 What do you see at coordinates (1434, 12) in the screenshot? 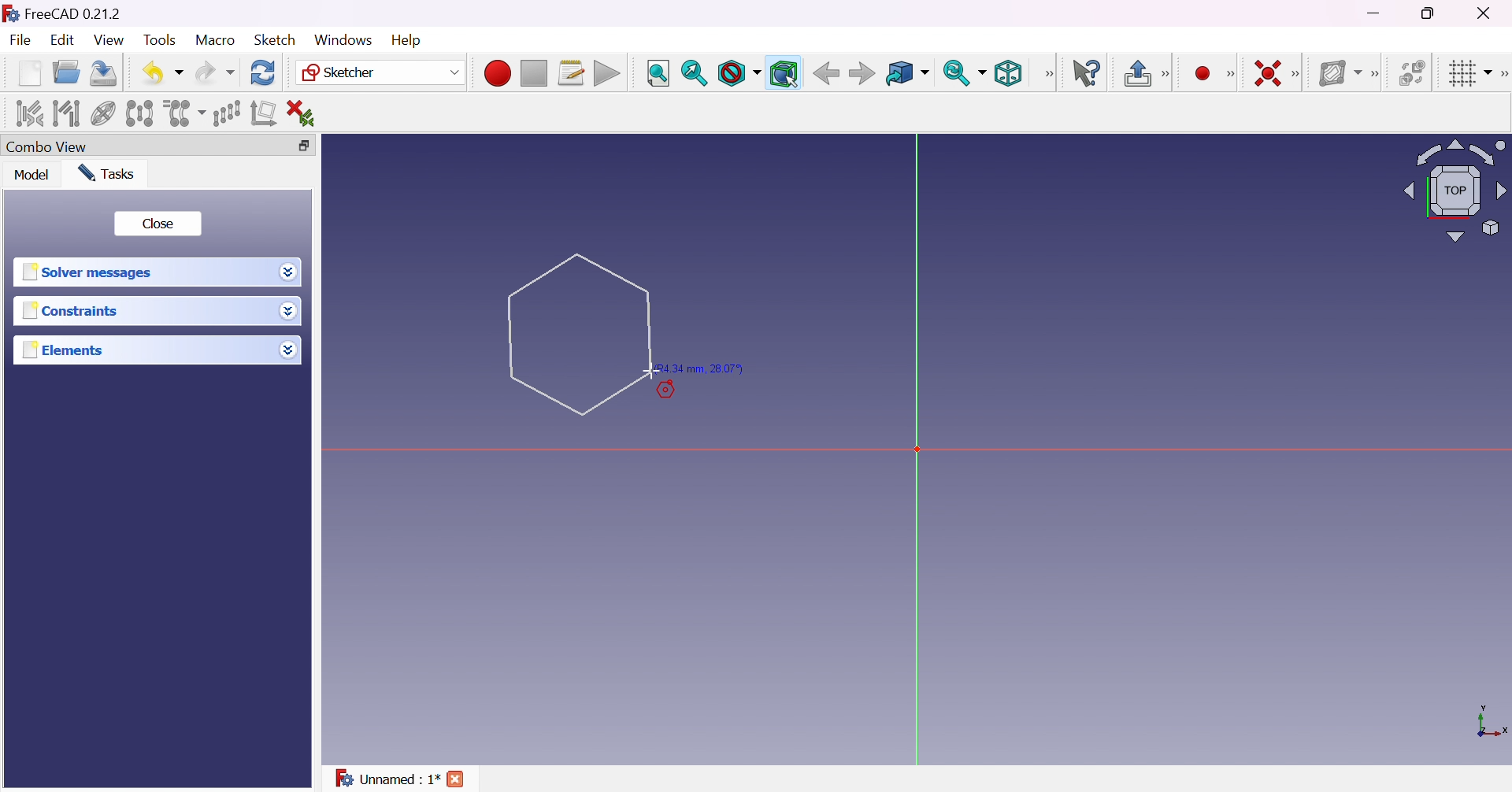
I see `Restore down` at bounding box center [1434, 12].